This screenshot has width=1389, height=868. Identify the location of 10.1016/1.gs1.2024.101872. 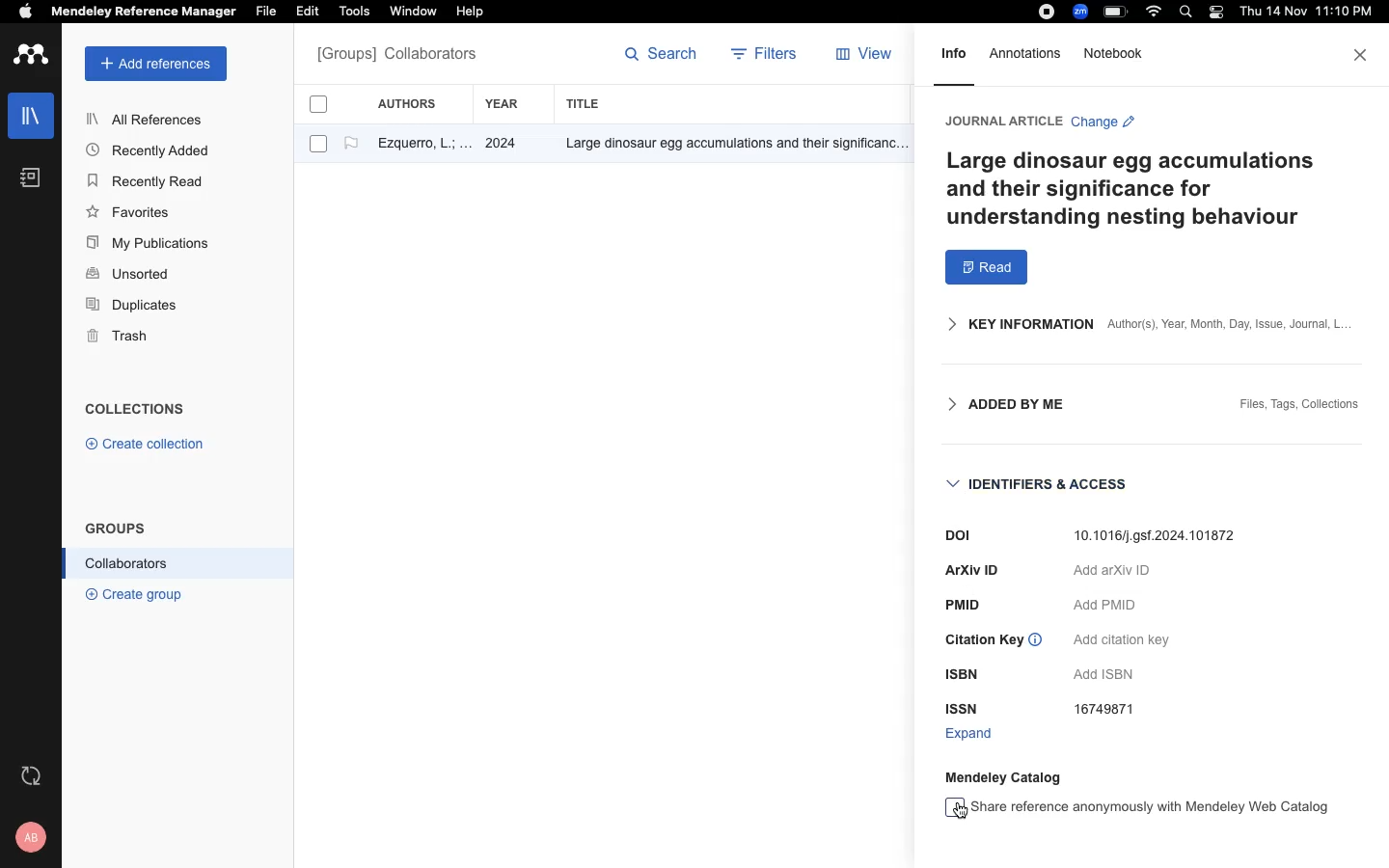
(1161, 535).